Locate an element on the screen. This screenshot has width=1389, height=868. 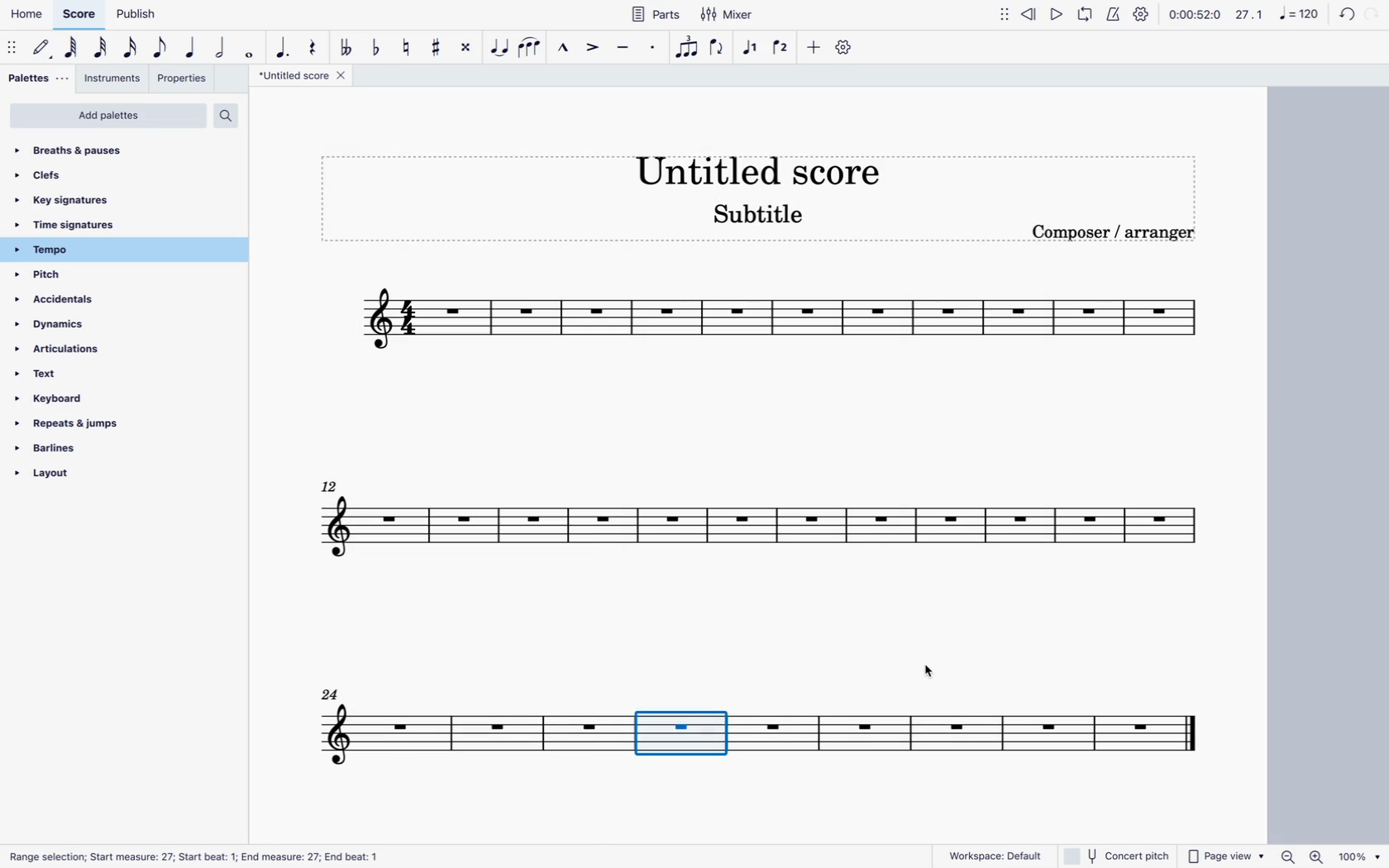
back is located at coordinates (1343, 15).